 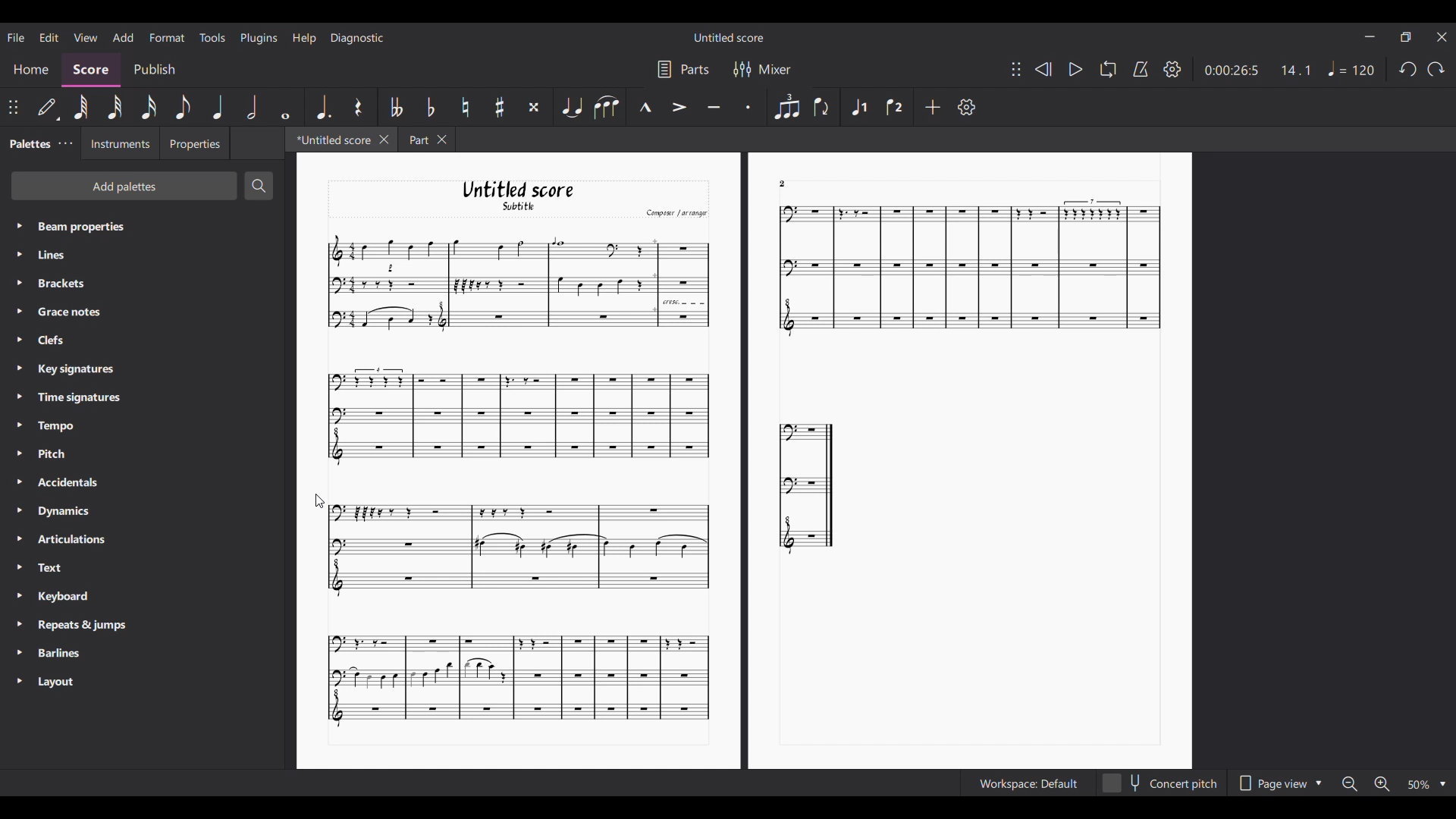 I want to click on Toggle natural, so click(x=465, y=107).